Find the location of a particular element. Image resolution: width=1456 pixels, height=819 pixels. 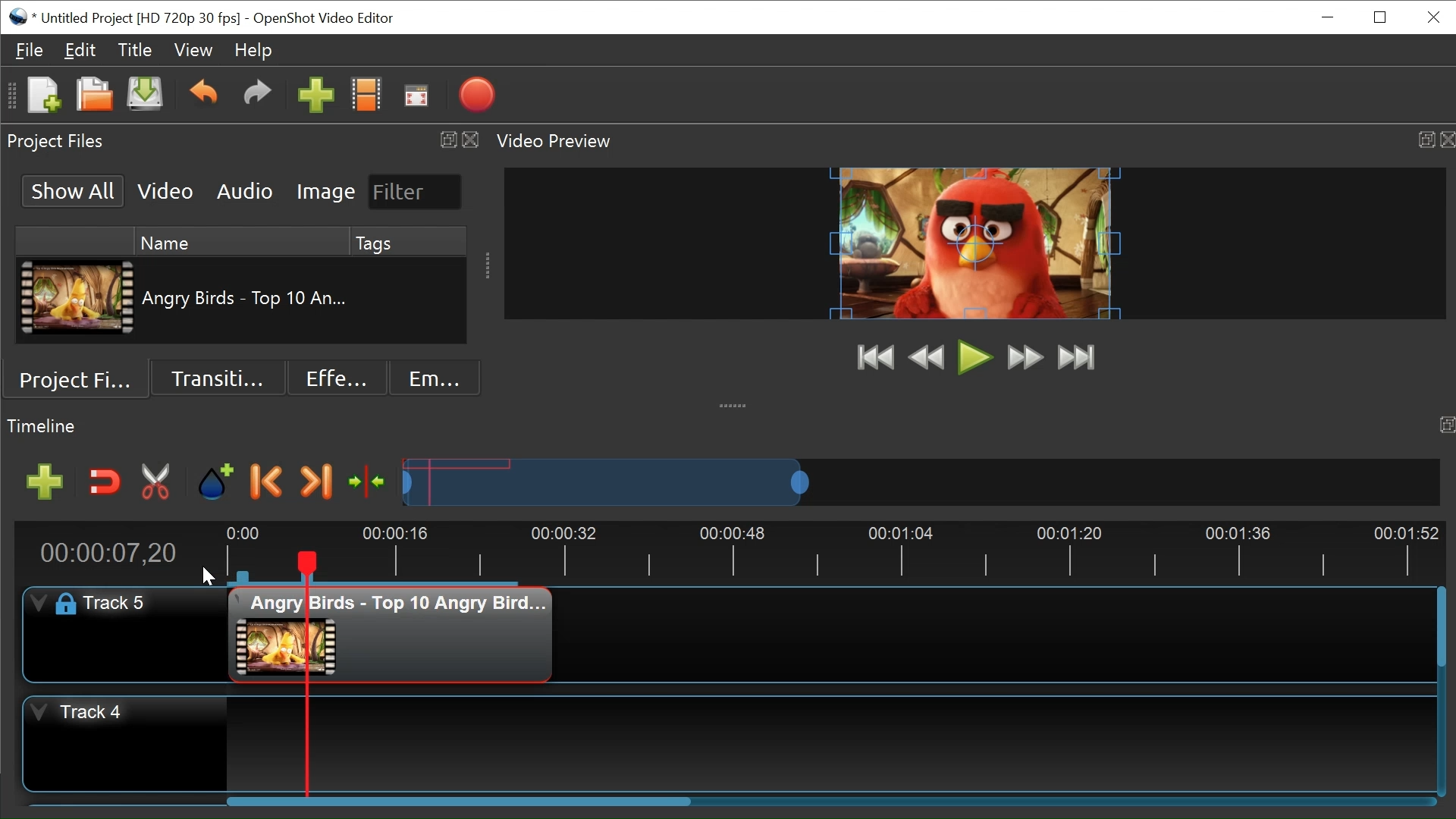

previous marker is located at coordinates (269, 481).